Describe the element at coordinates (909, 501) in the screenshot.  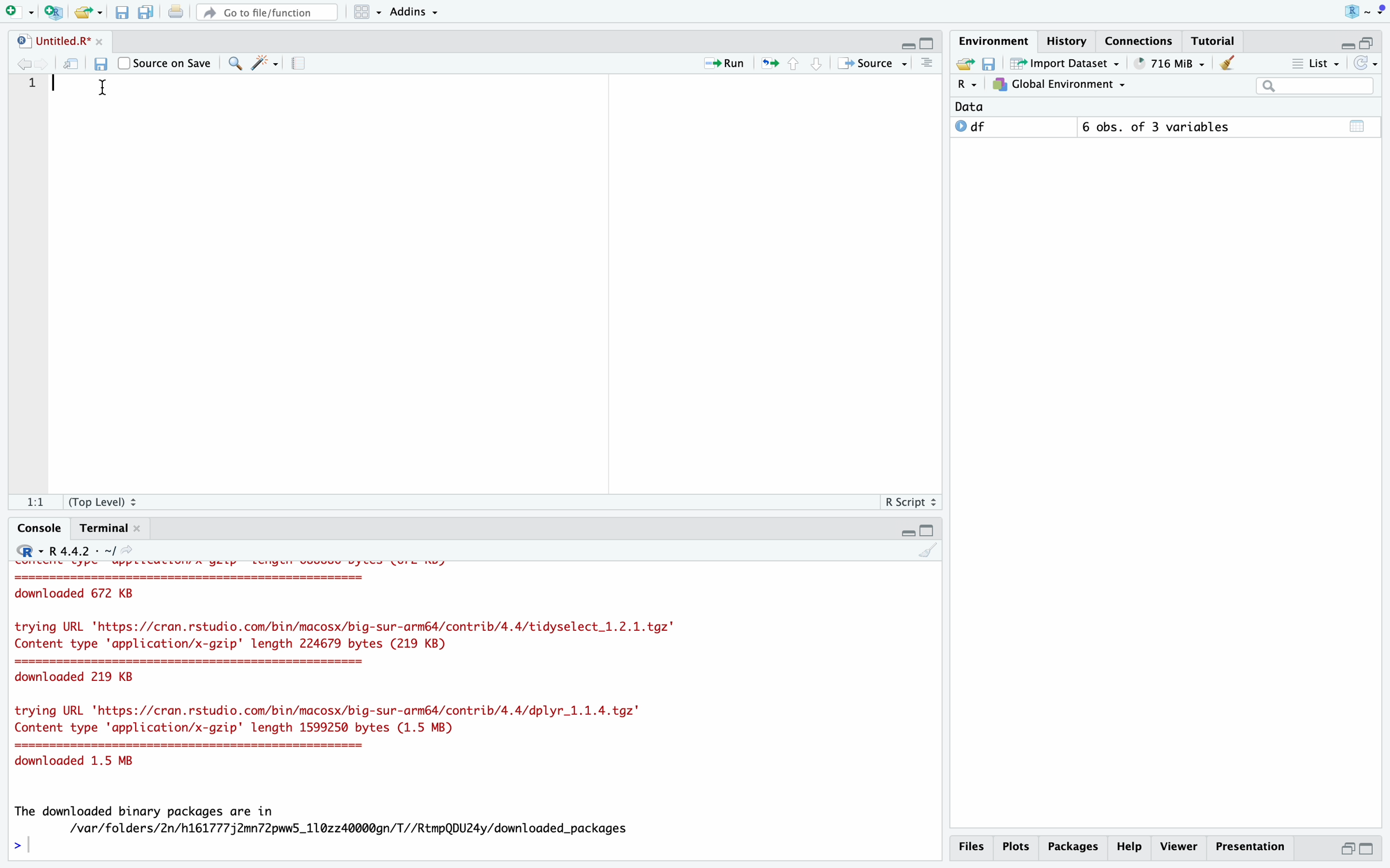
I see `R Script` at that location.